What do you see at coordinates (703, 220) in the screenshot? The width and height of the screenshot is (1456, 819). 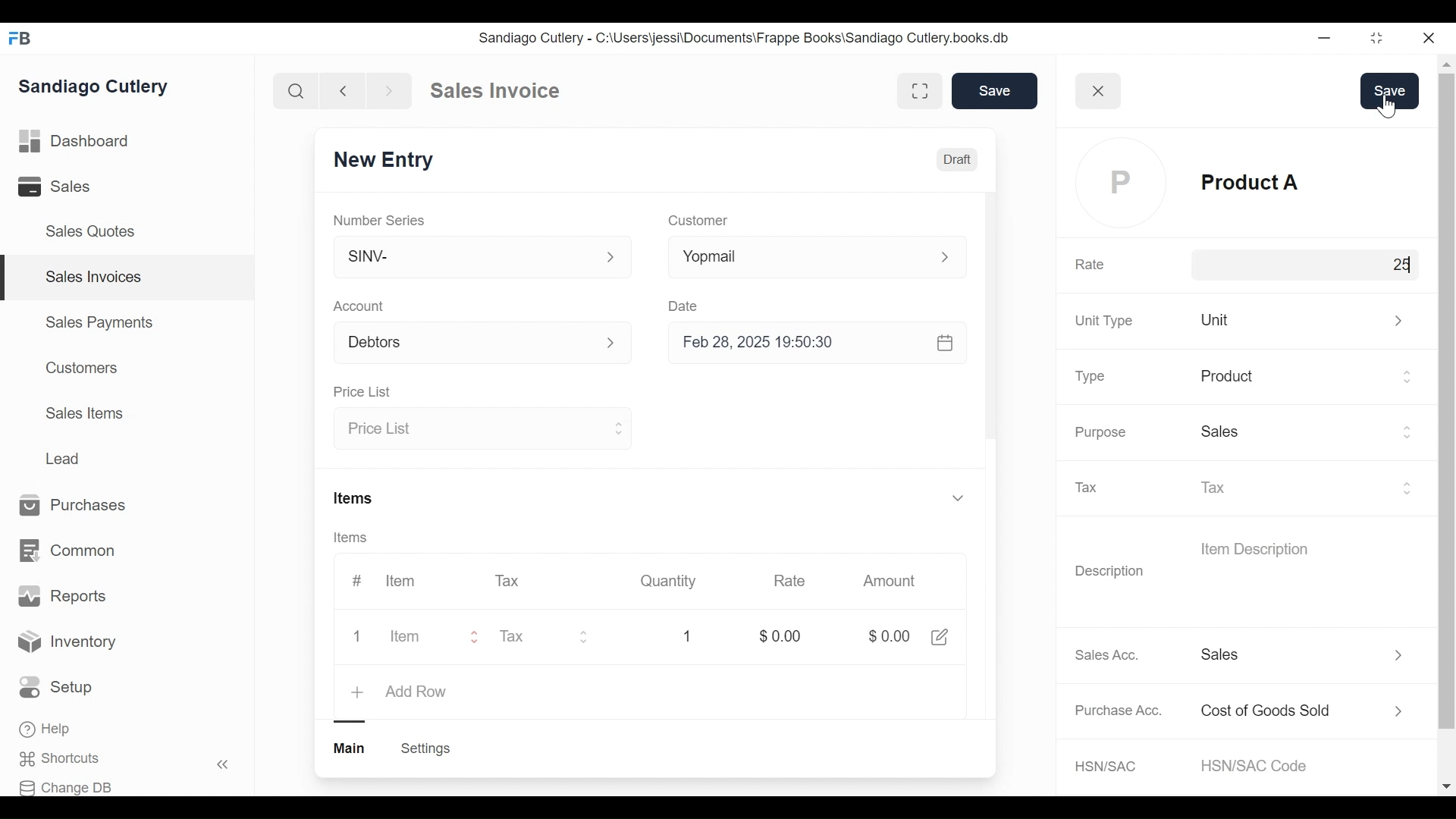 I see `Customer` at bounding box center [703, 220].